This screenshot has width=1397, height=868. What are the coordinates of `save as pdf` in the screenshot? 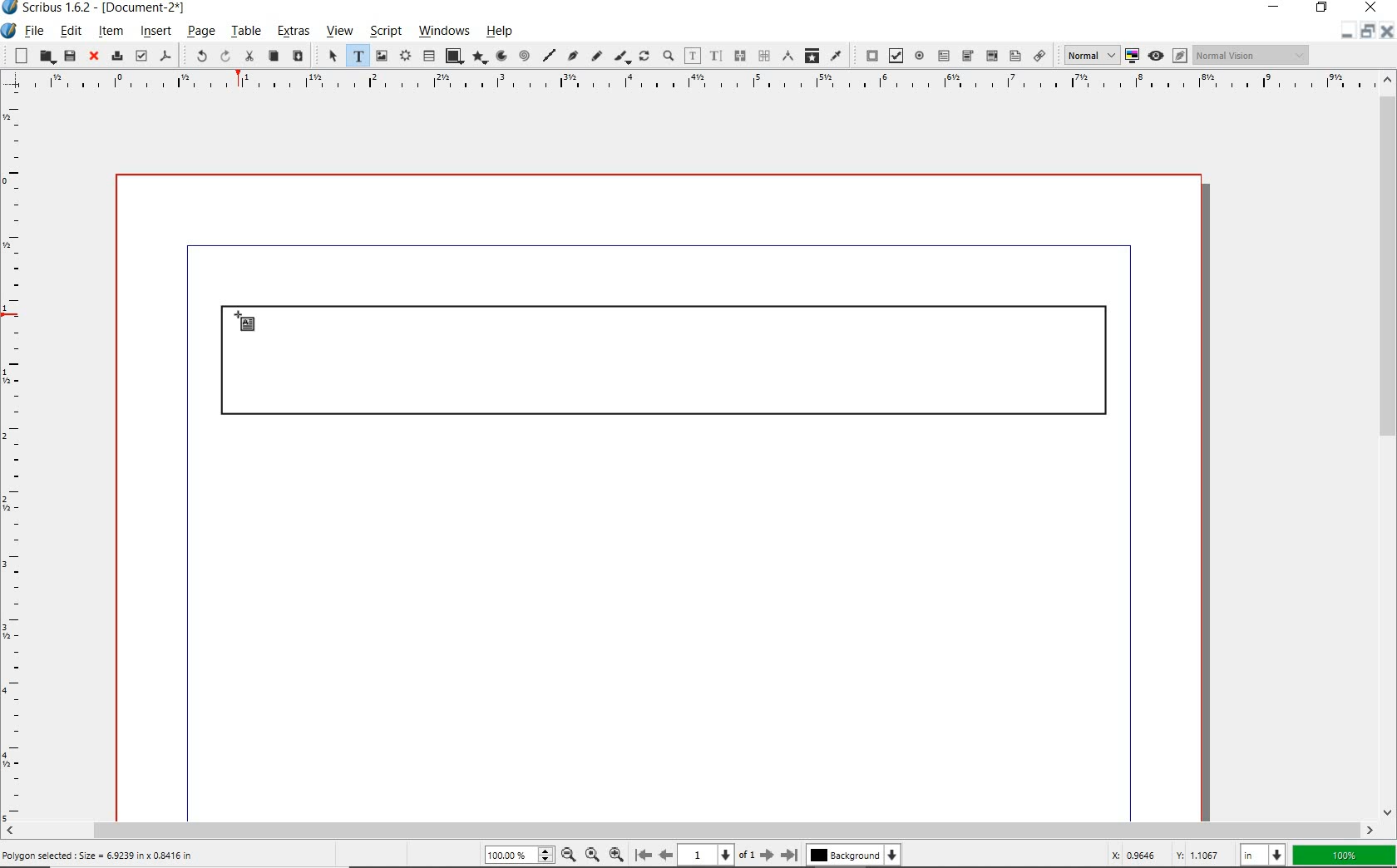 It's located at (166, 57).